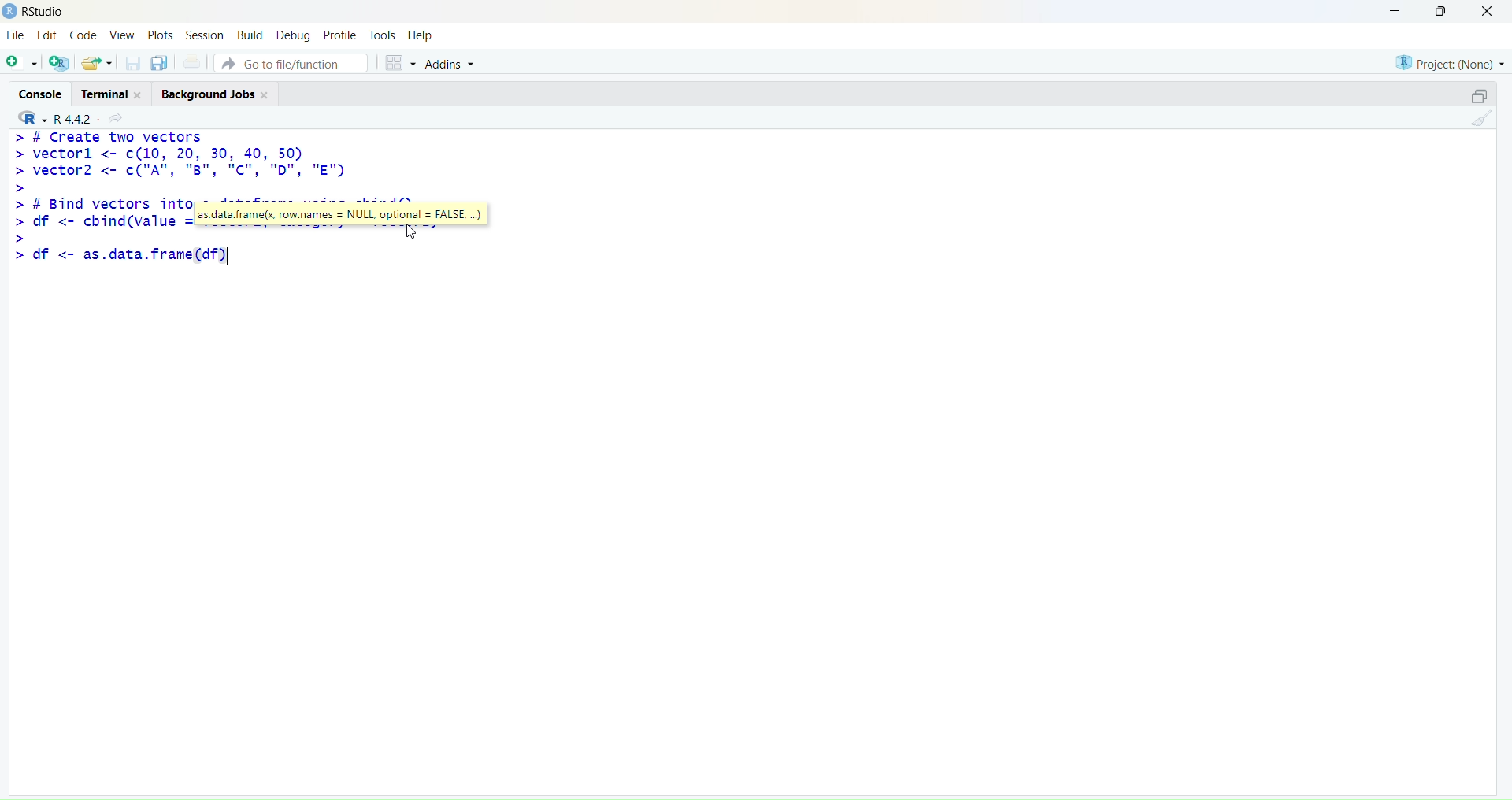  What do you see at coordinates (203, 34) in the screenshot?
I see `Session` at bounding box center [203, 34].